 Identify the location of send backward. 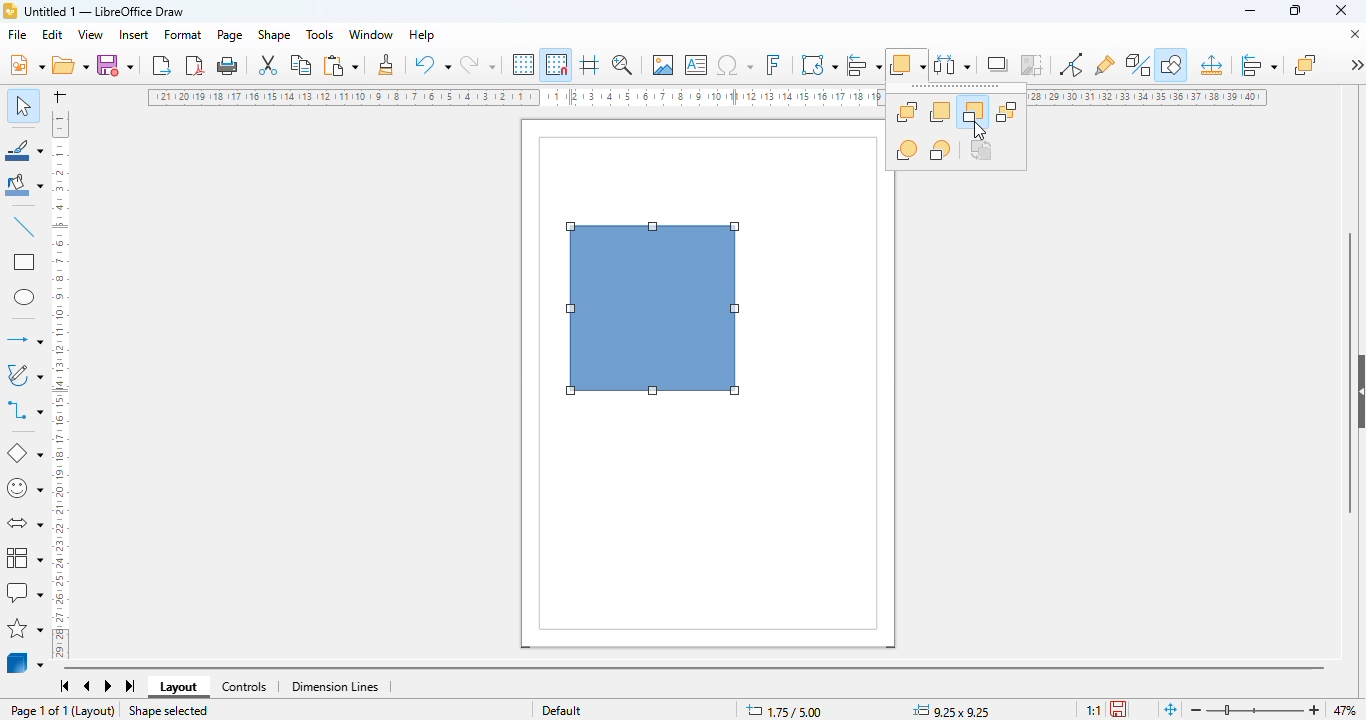
(972, 113).